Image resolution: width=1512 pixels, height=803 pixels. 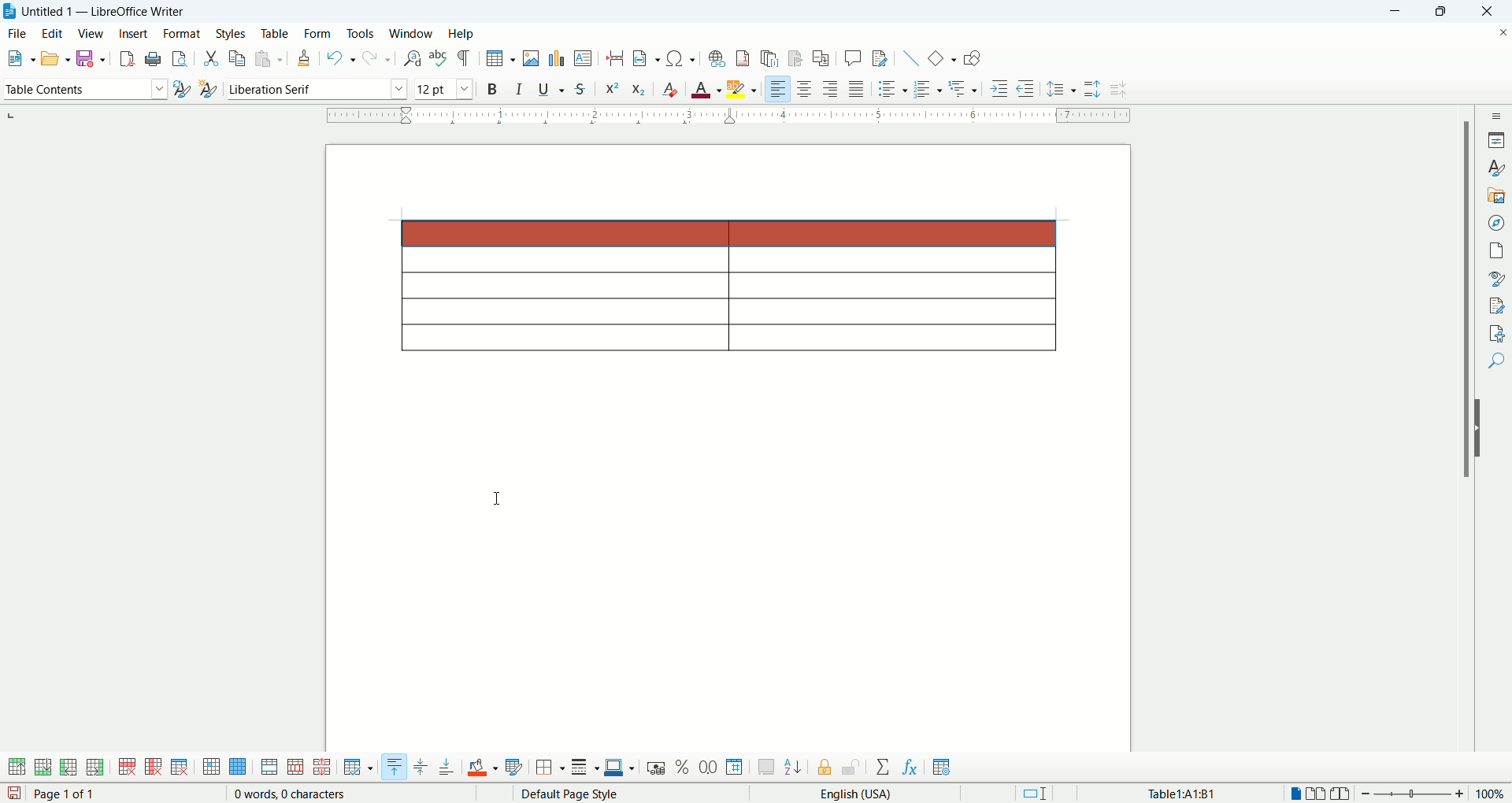 I want to click on currency format, so click(x=659, y=767).